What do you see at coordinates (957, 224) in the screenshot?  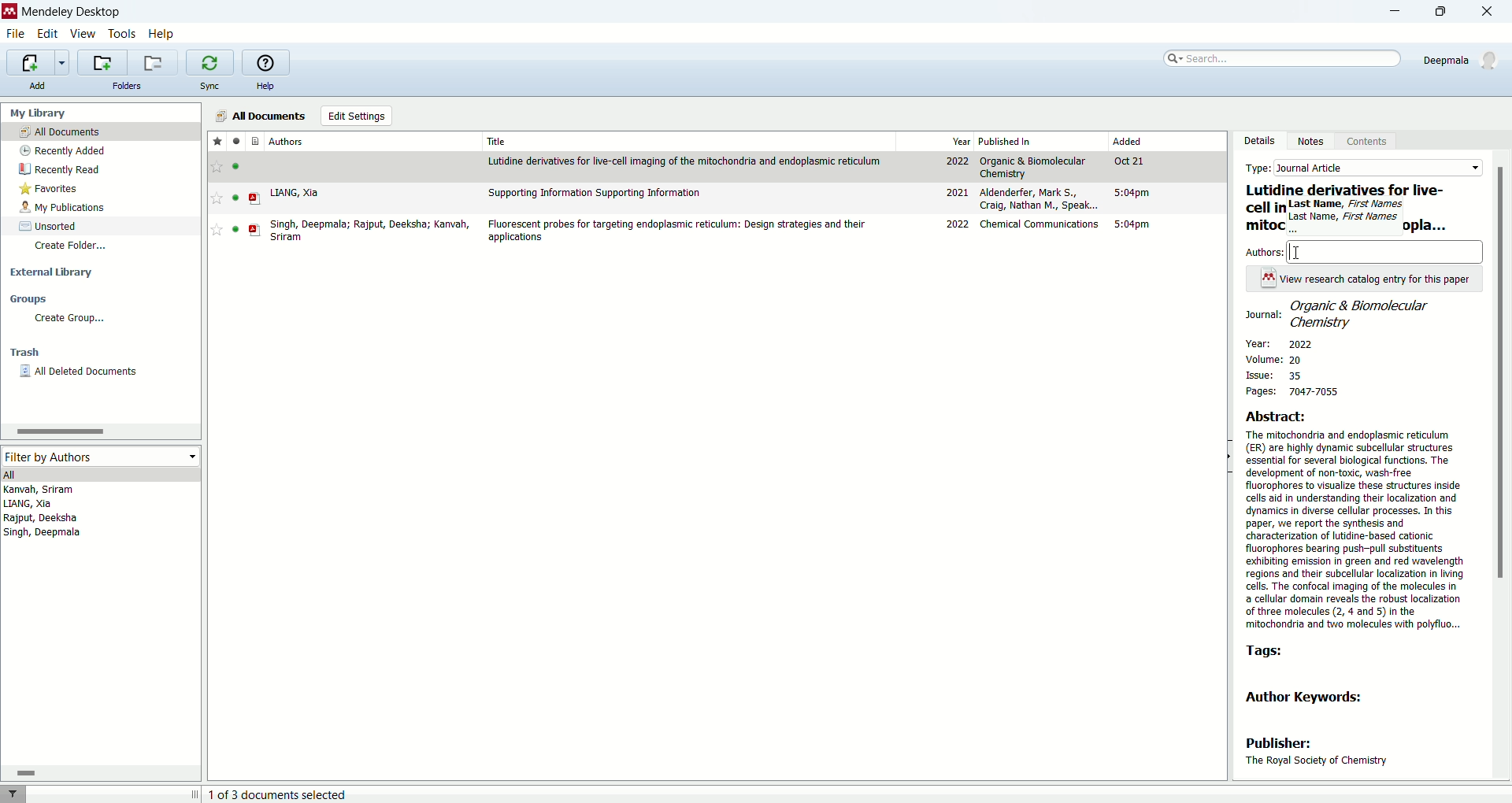 I see `2022` at bounding box center [957, 224].